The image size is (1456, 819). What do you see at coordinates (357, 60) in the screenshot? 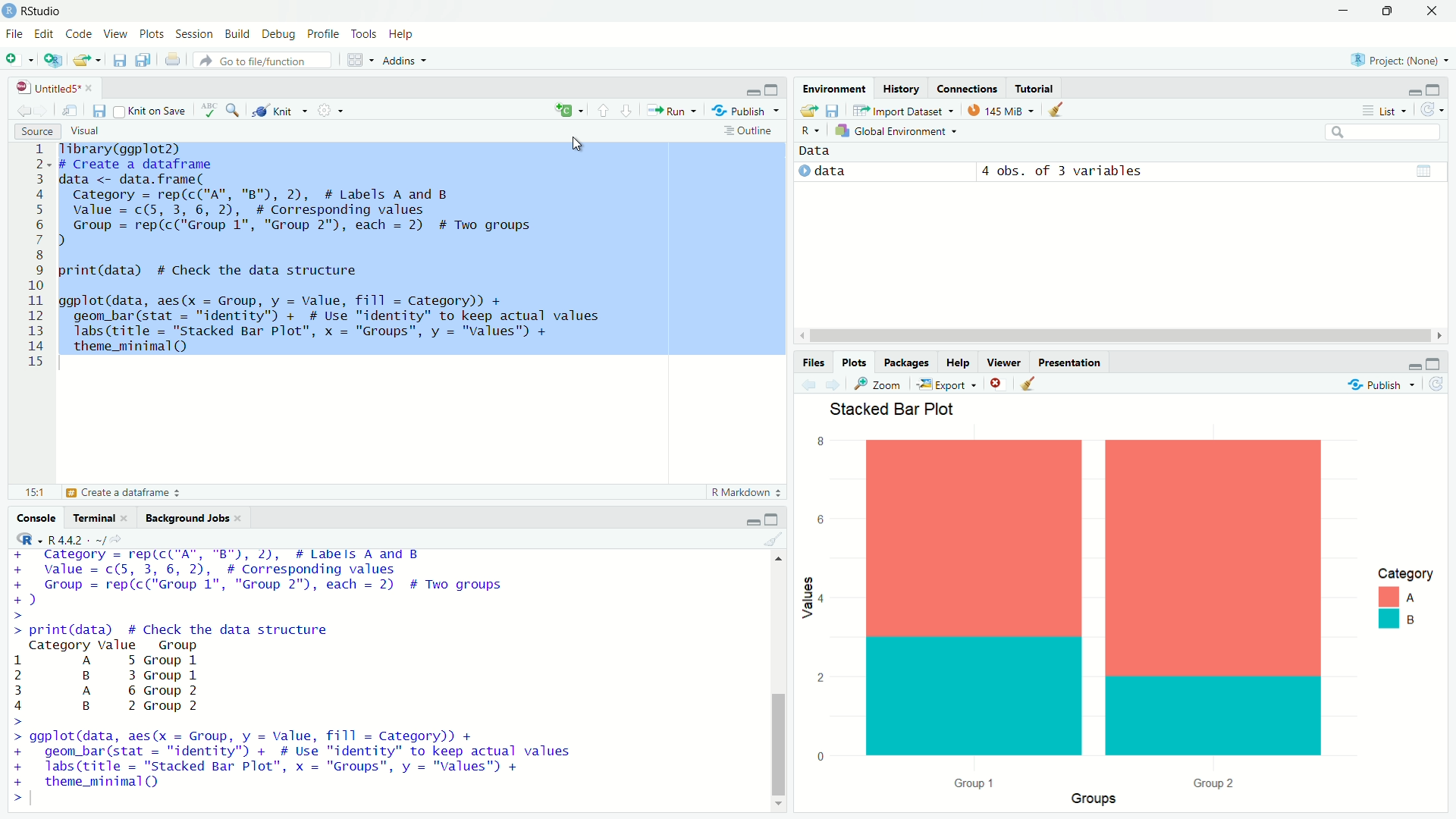
I see `Workspace panes` at bounding box center [357, 60].